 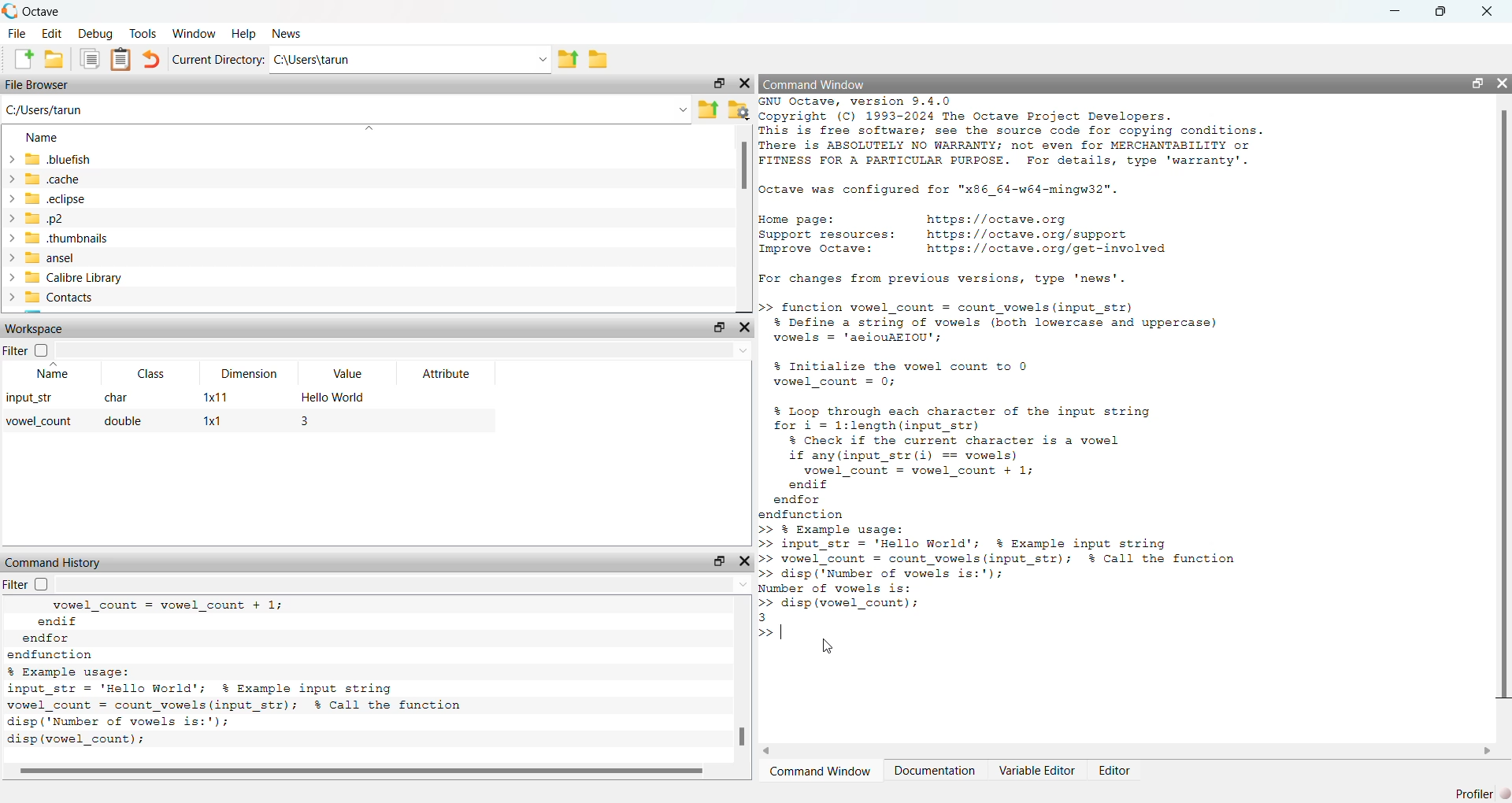 What do you see at coordinates (306, 420) in the screenshot?
I see `3` at bounding box center [306, 420].